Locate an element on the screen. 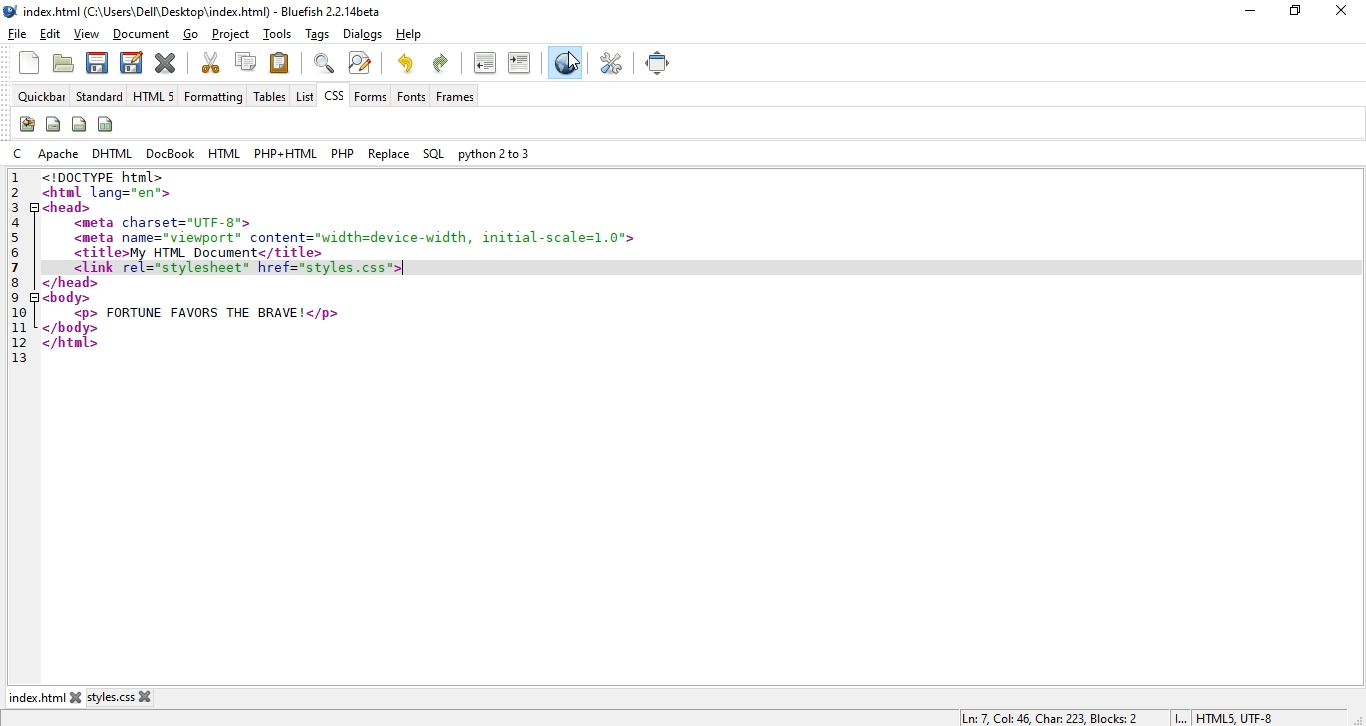 This screenshot has width=1366, height=726. 1 is located at coordinates (15, 178).